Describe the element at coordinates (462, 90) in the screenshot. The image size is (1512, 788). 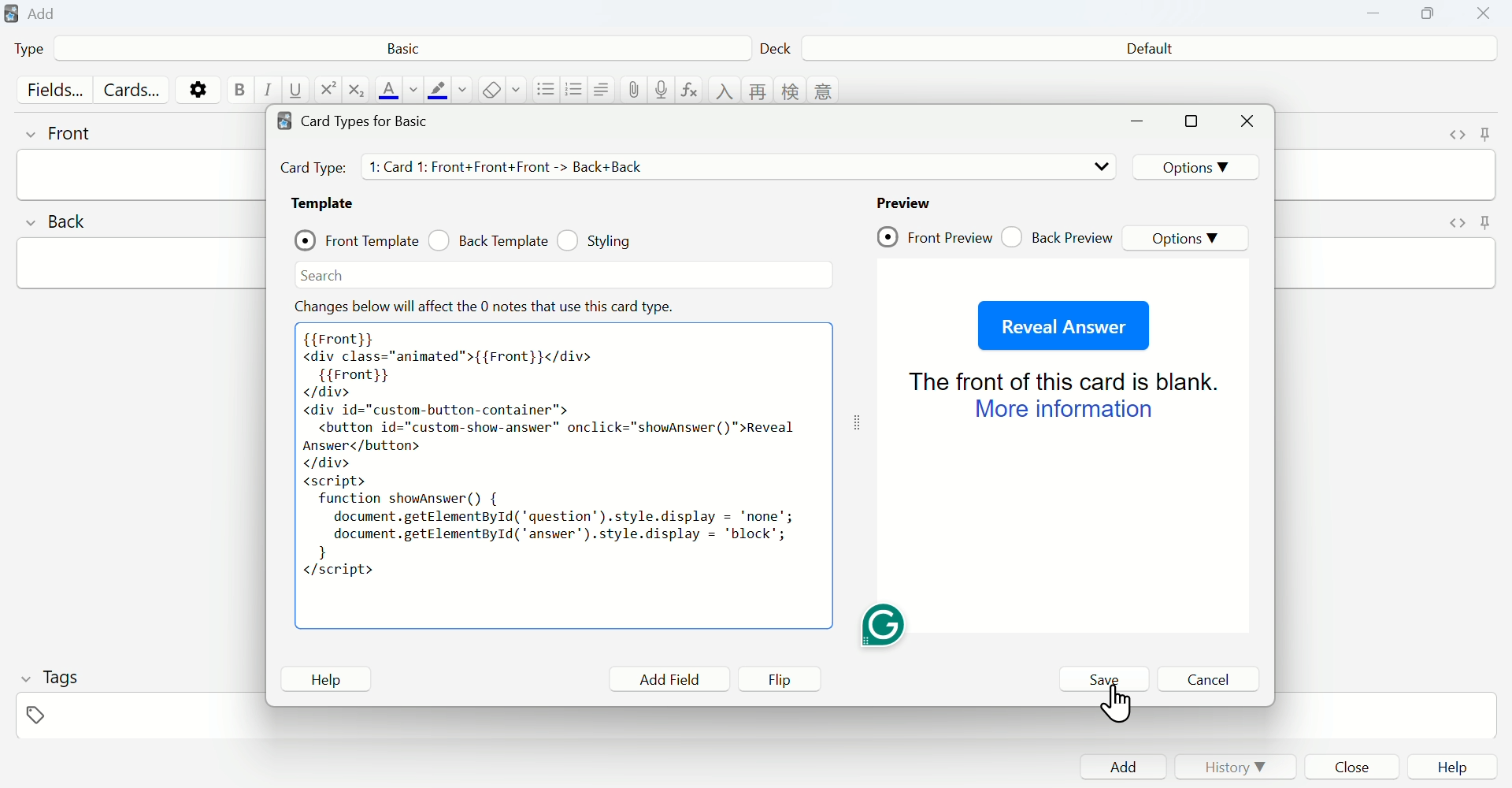
I see `change color` at that location.